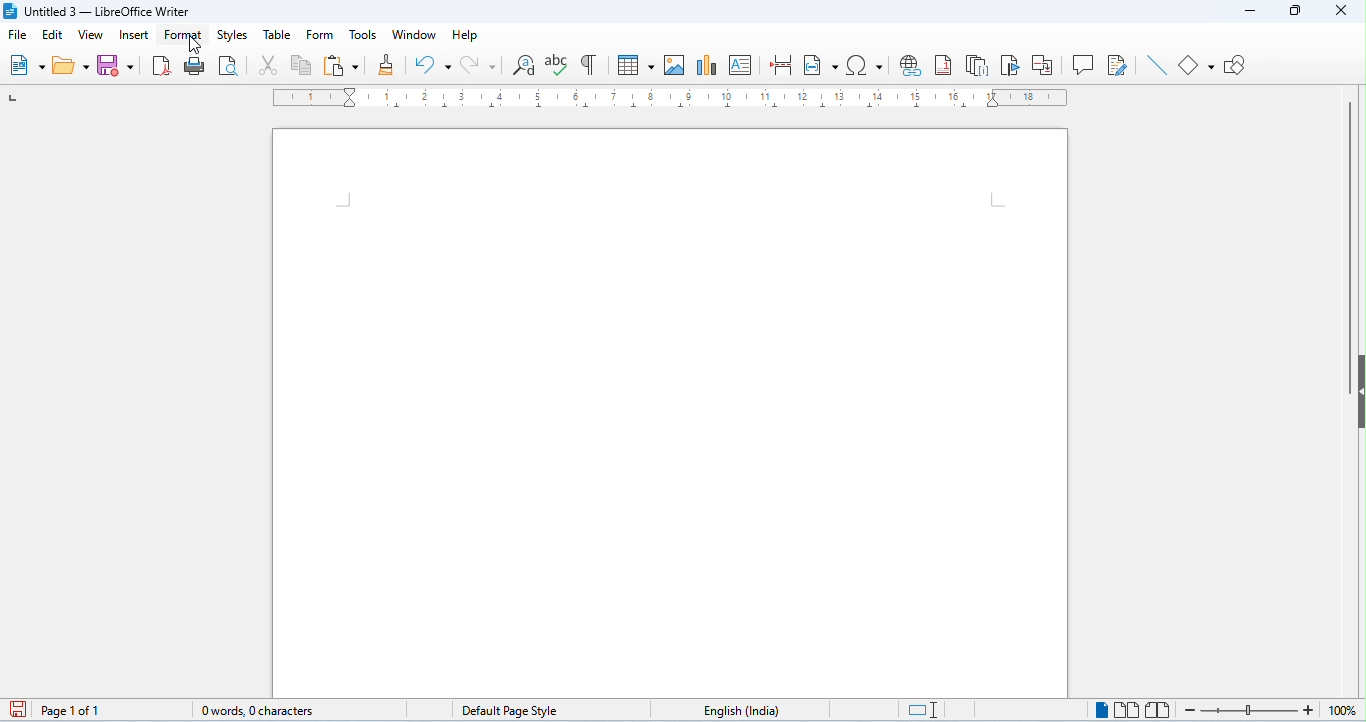 Image resolution: width=1366 pixels, height=722 pixels. What do you see at coordinates (181, 36) in the screenshot?
I see `format` at bounding box center [181, 36].